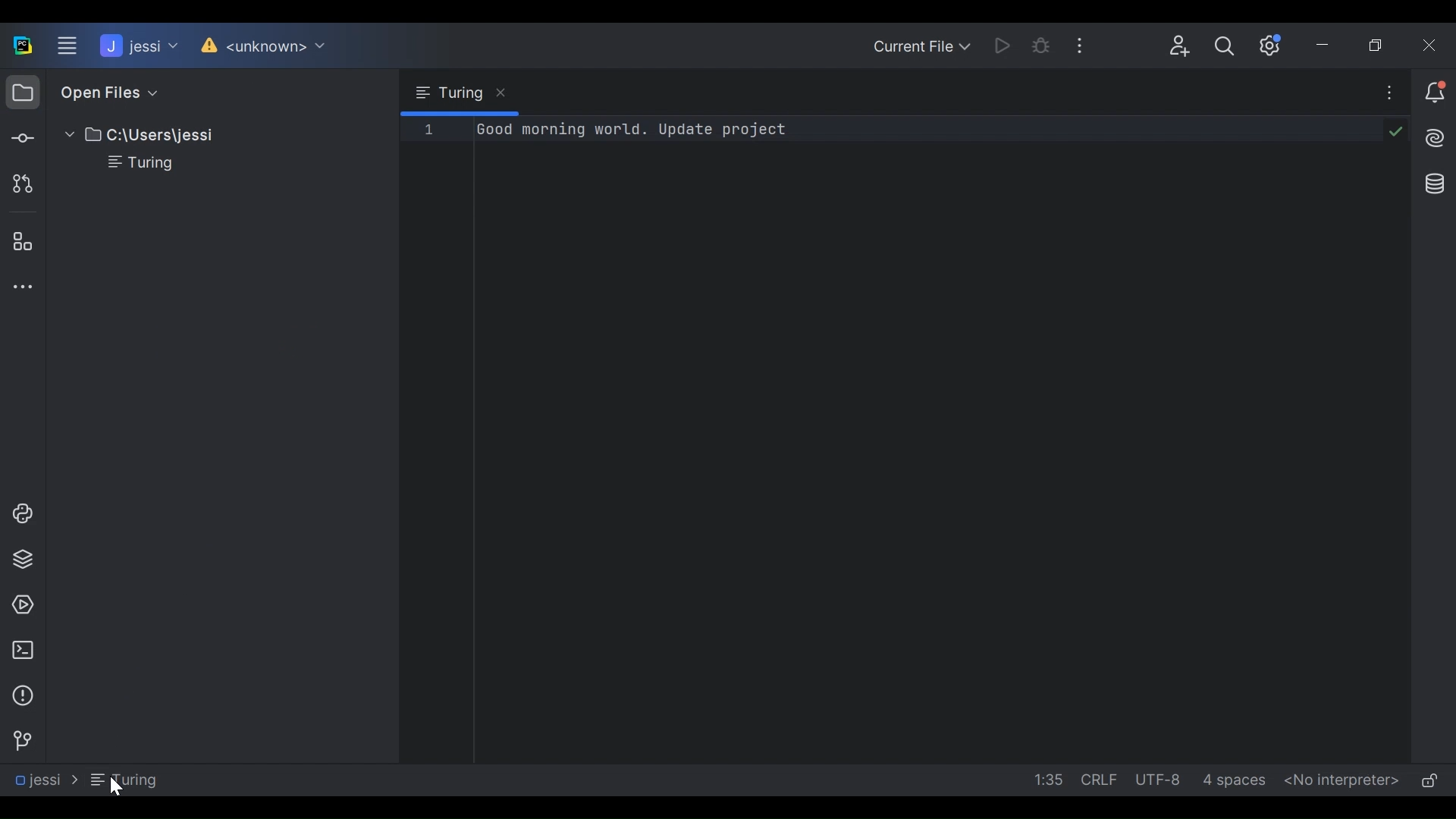  What do you see at coordinates (923, 45) in the screenshot?
I see `Current File` at bounding box center [923, 45].